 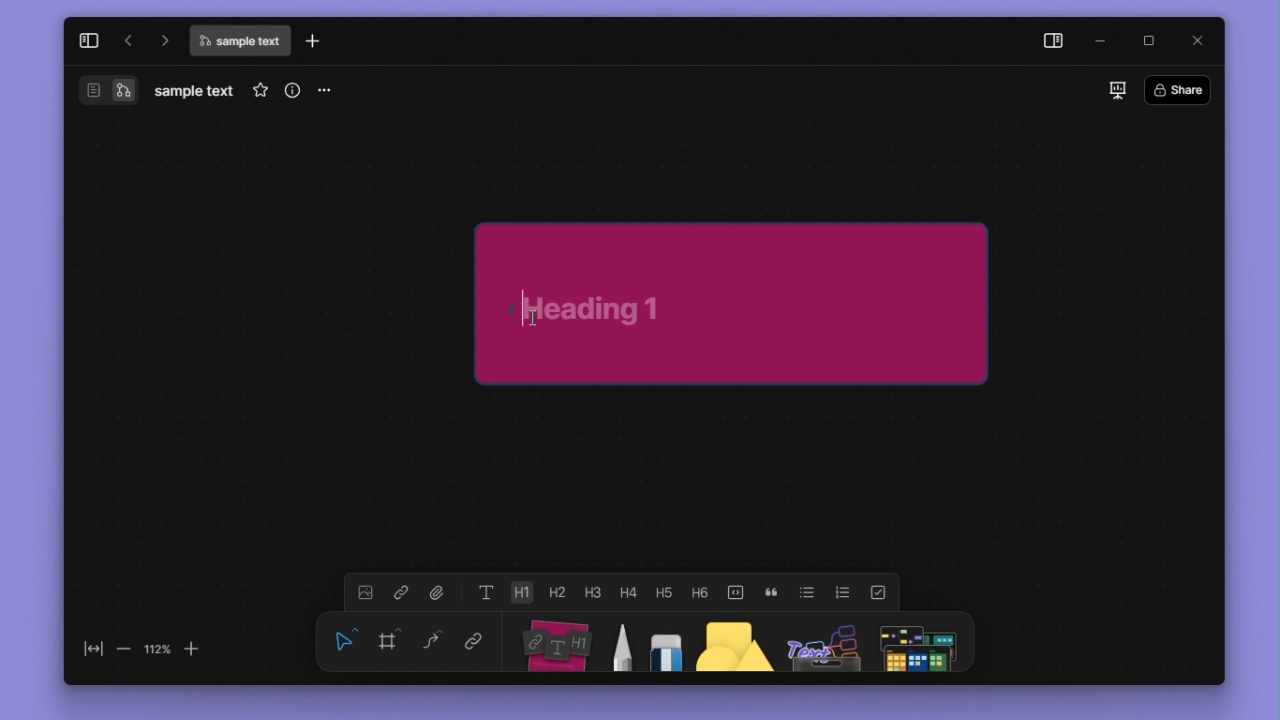 I want to click on view info, so click(x=293, y=90).